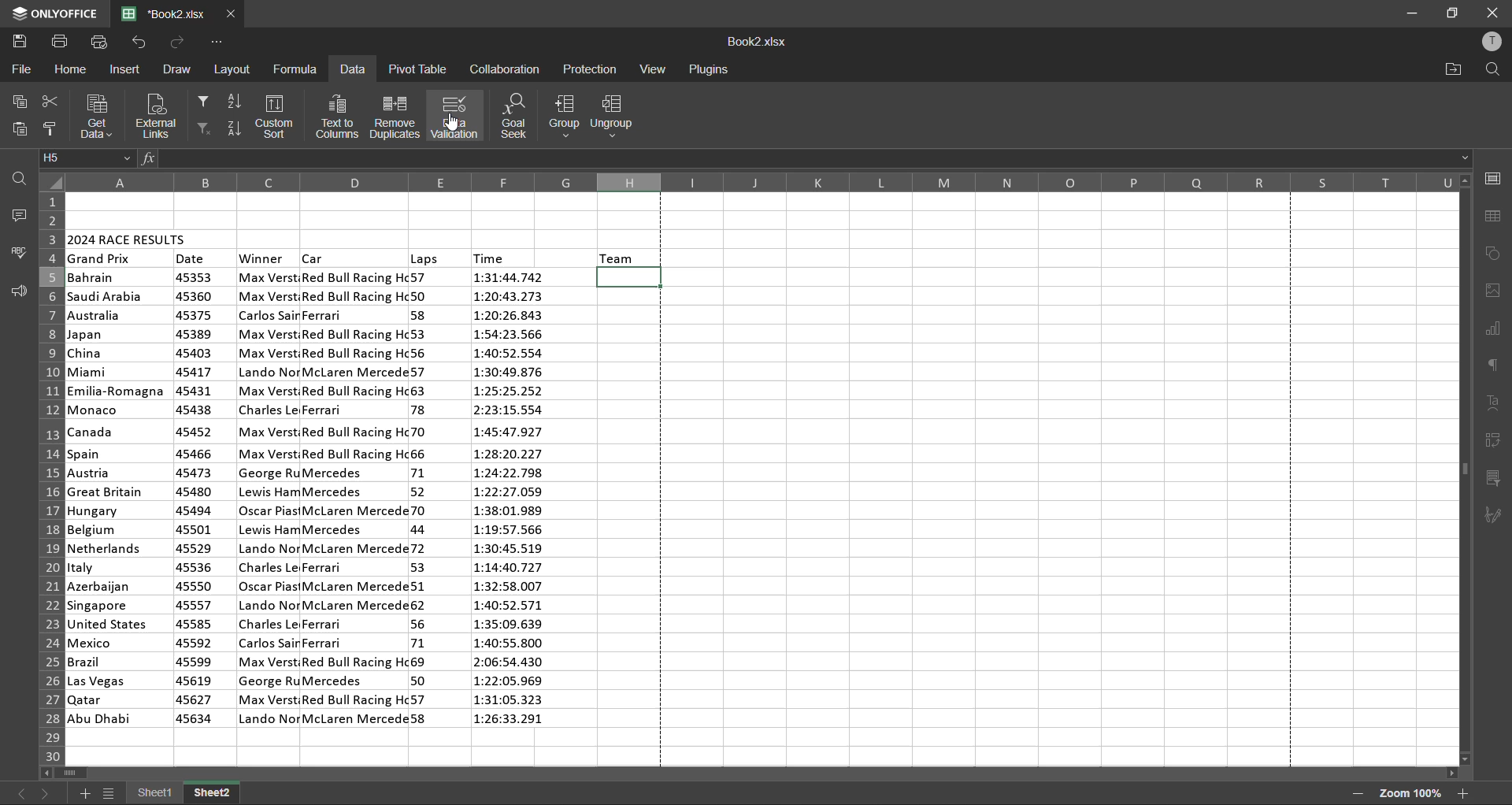  What do you see at coordinates (232, 14) in the screenshot?
I see `close tab` at bounding box center [232, 14].